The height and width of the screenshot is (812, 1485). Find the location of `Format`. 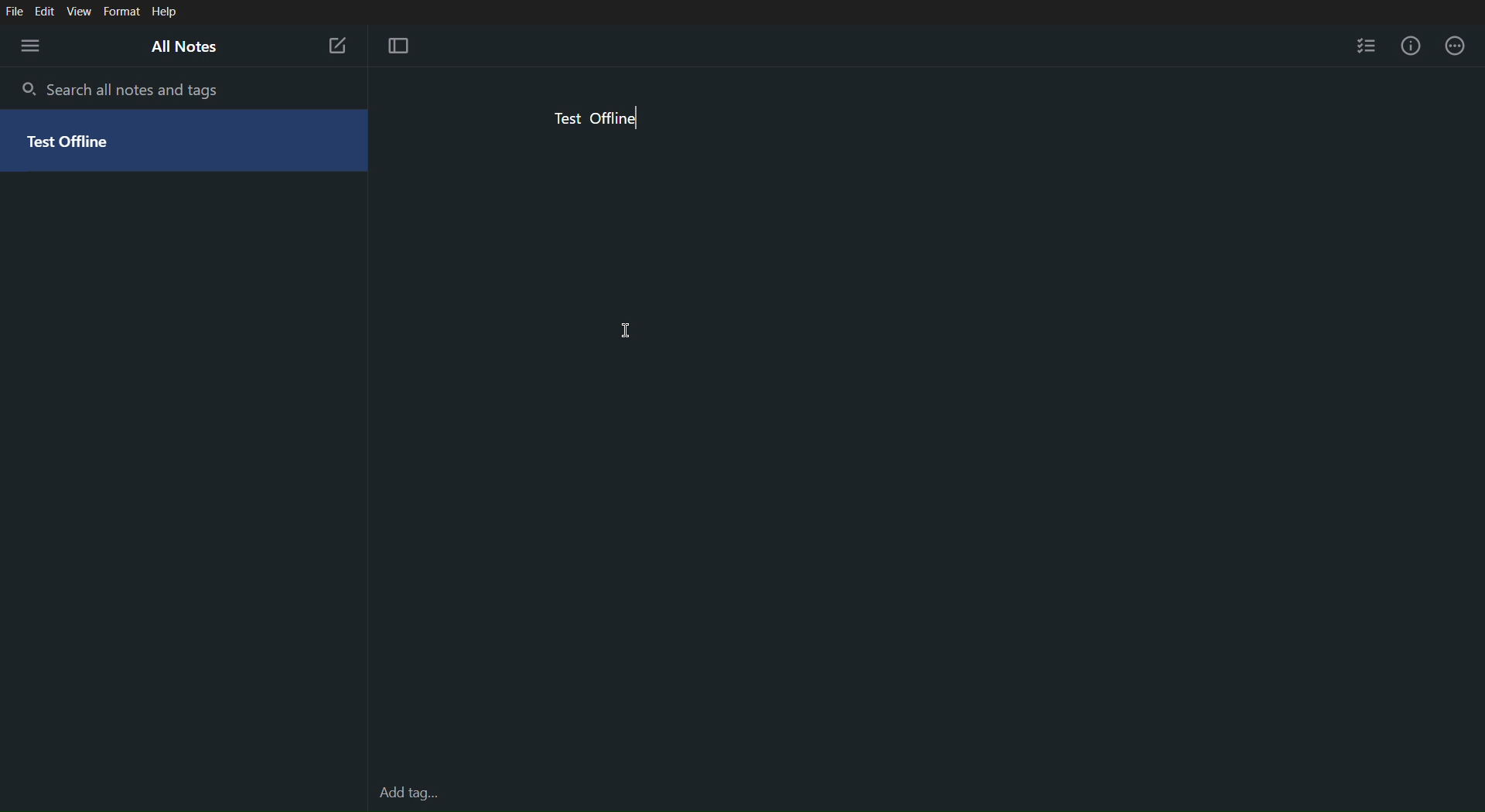

Format is located at coordinates (122, 10).